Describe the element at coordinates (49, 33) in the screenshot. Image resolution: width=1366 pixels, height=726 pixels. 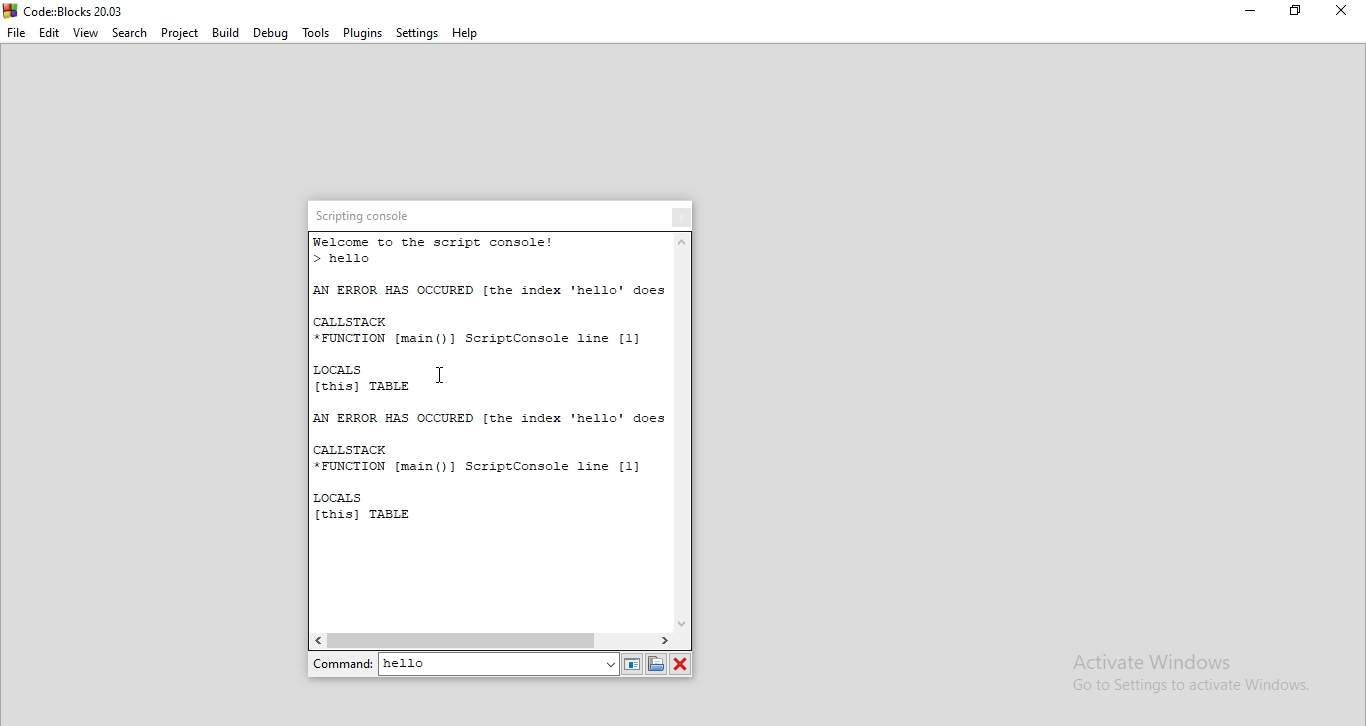
I see `Edit ` at that location.